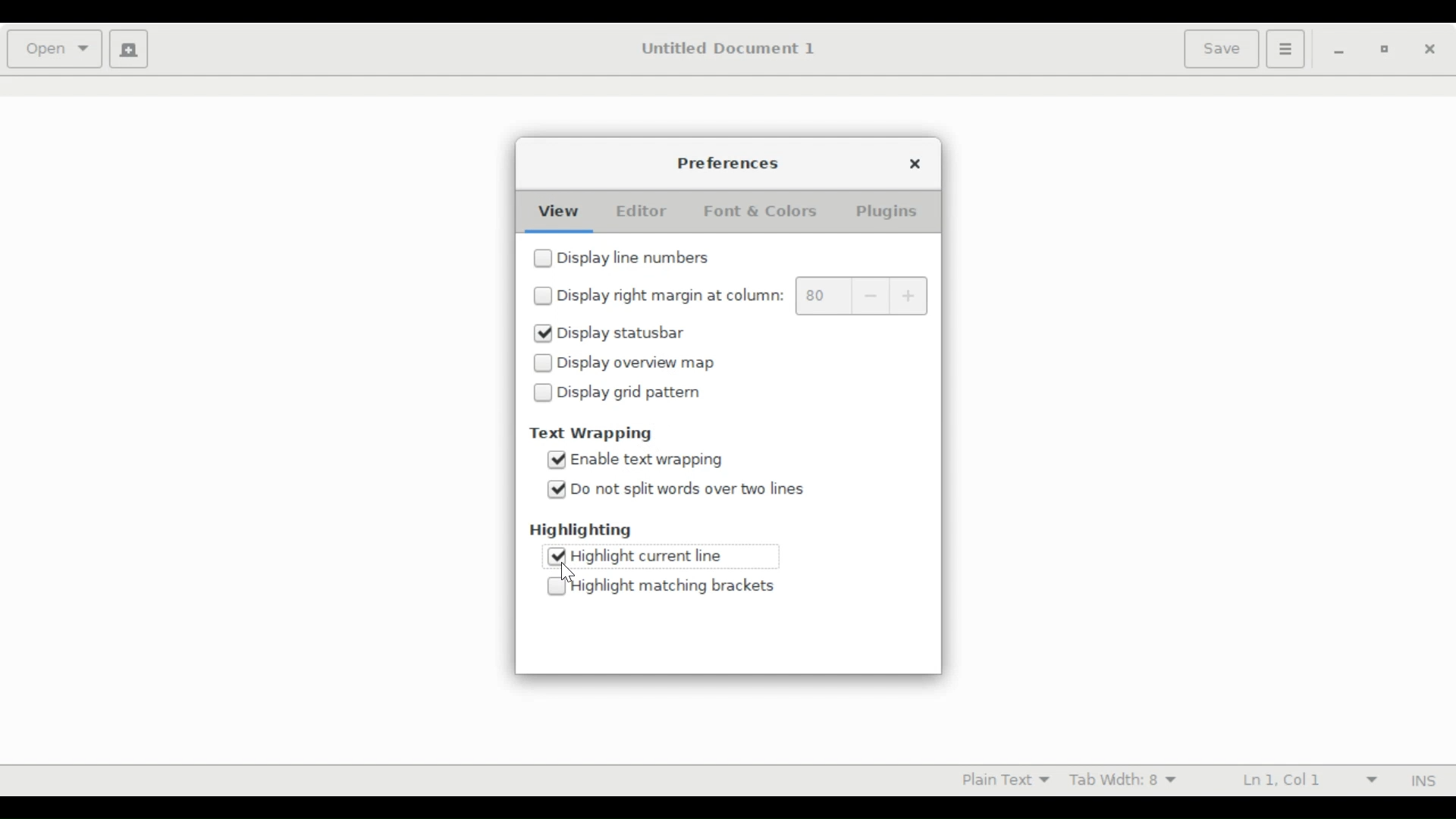 This screenshot has height=819, width=1456. Describe the element at coordinates (555, 557) in the screenshot. I see `checked checkbox` at that location.